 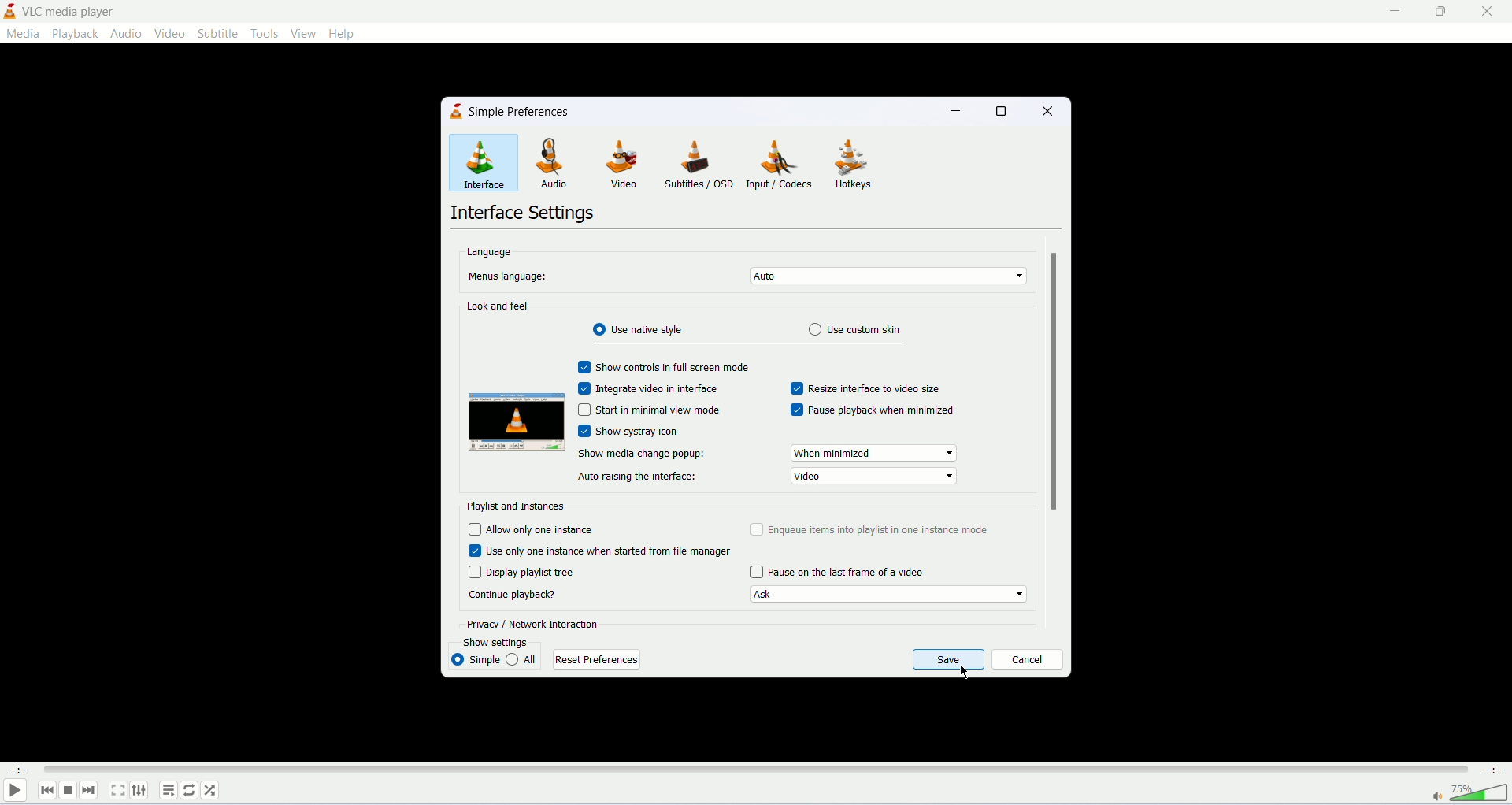 I want to click on progress bar, so click(x=758, y=771).